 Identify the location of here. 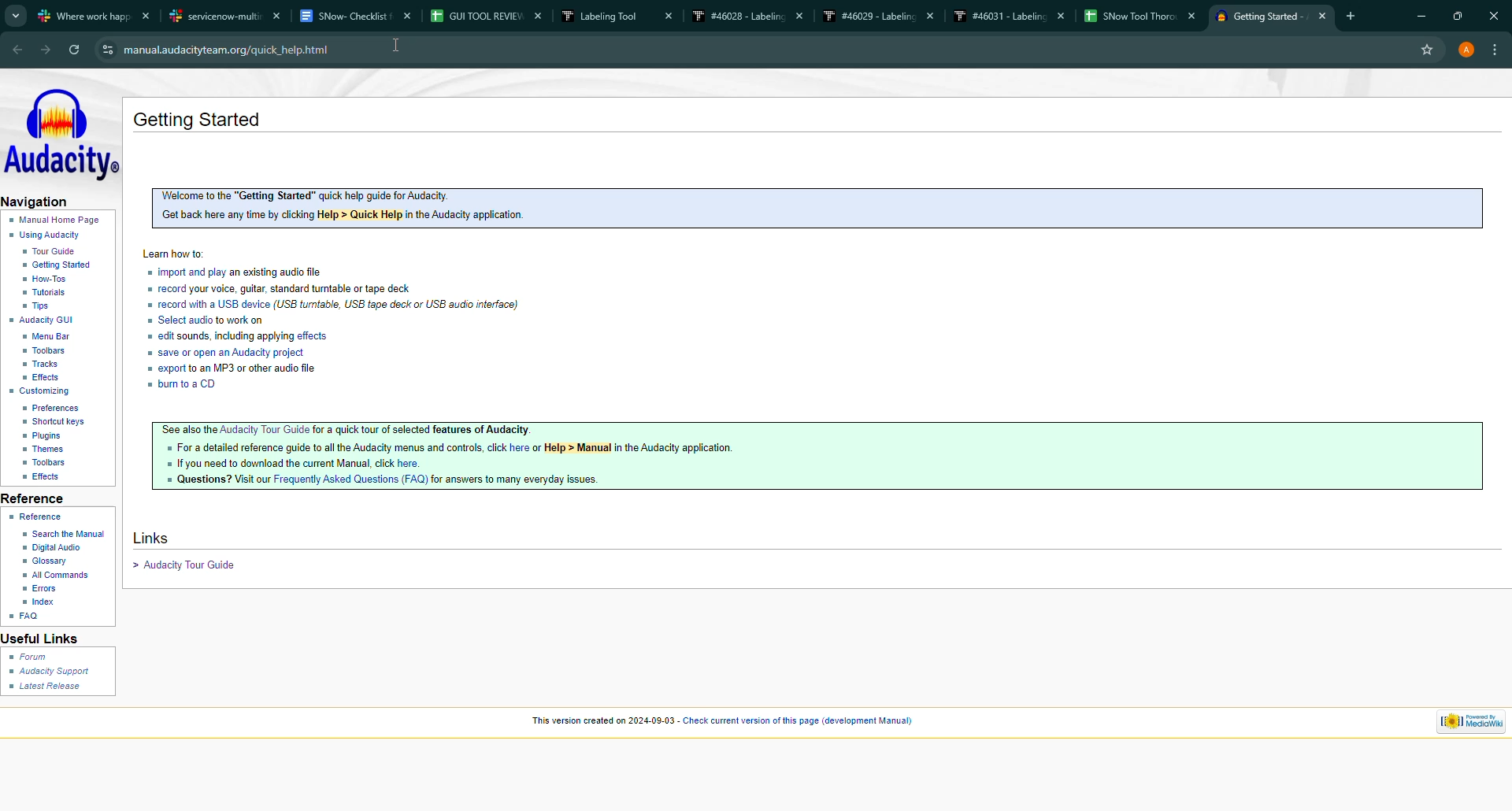
(409, 464).